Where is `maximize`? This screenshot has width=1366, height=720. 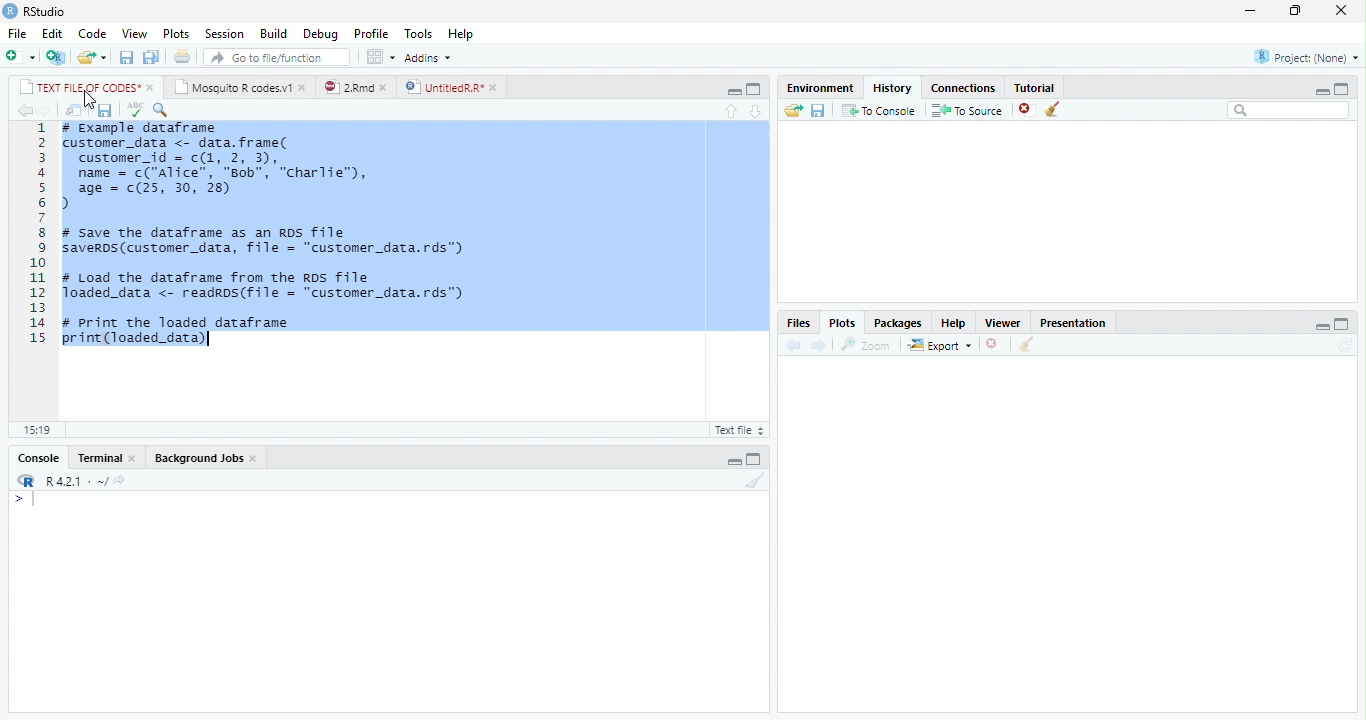
maximize is located at coordinates (753, 89).